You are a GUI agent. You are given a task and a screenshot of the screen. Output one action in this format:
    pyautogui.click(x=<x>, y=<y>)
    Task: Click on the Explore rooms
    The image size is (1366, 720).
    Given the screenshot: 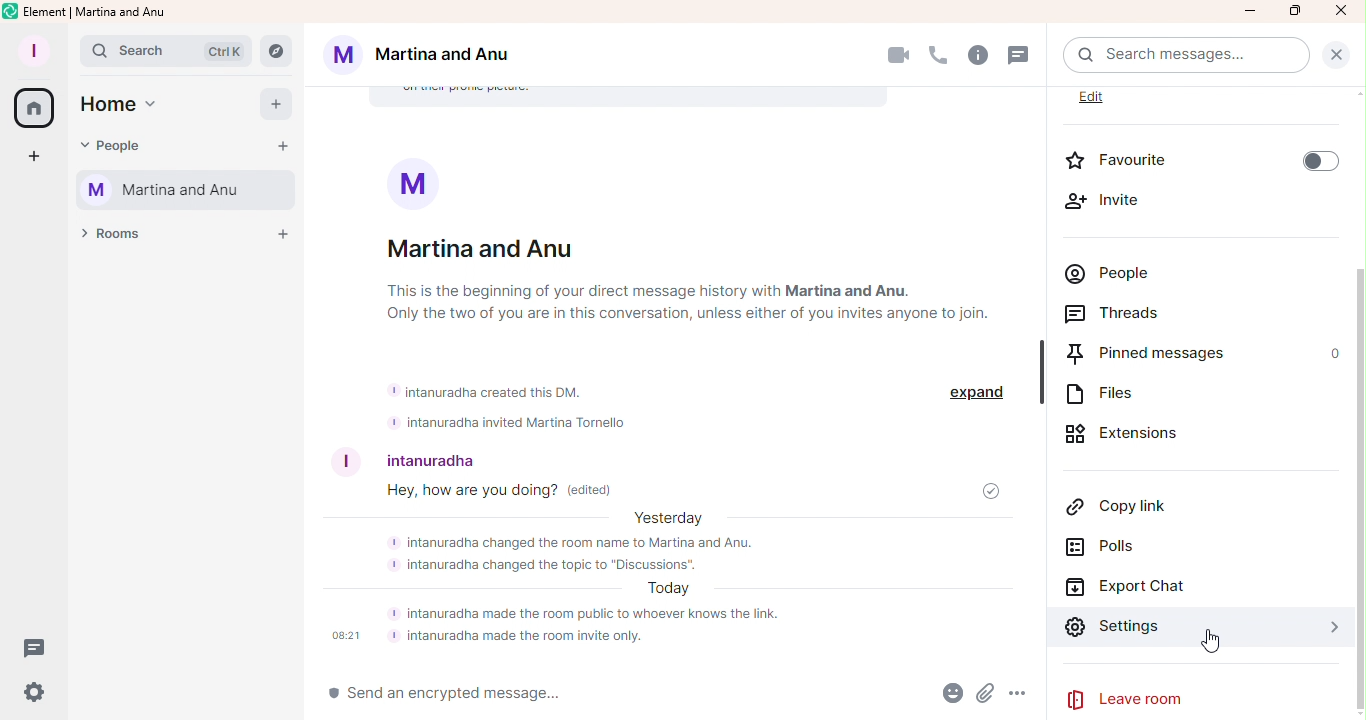 What is the action you would take?
    pyautogui.click(x=277, y=50)
    